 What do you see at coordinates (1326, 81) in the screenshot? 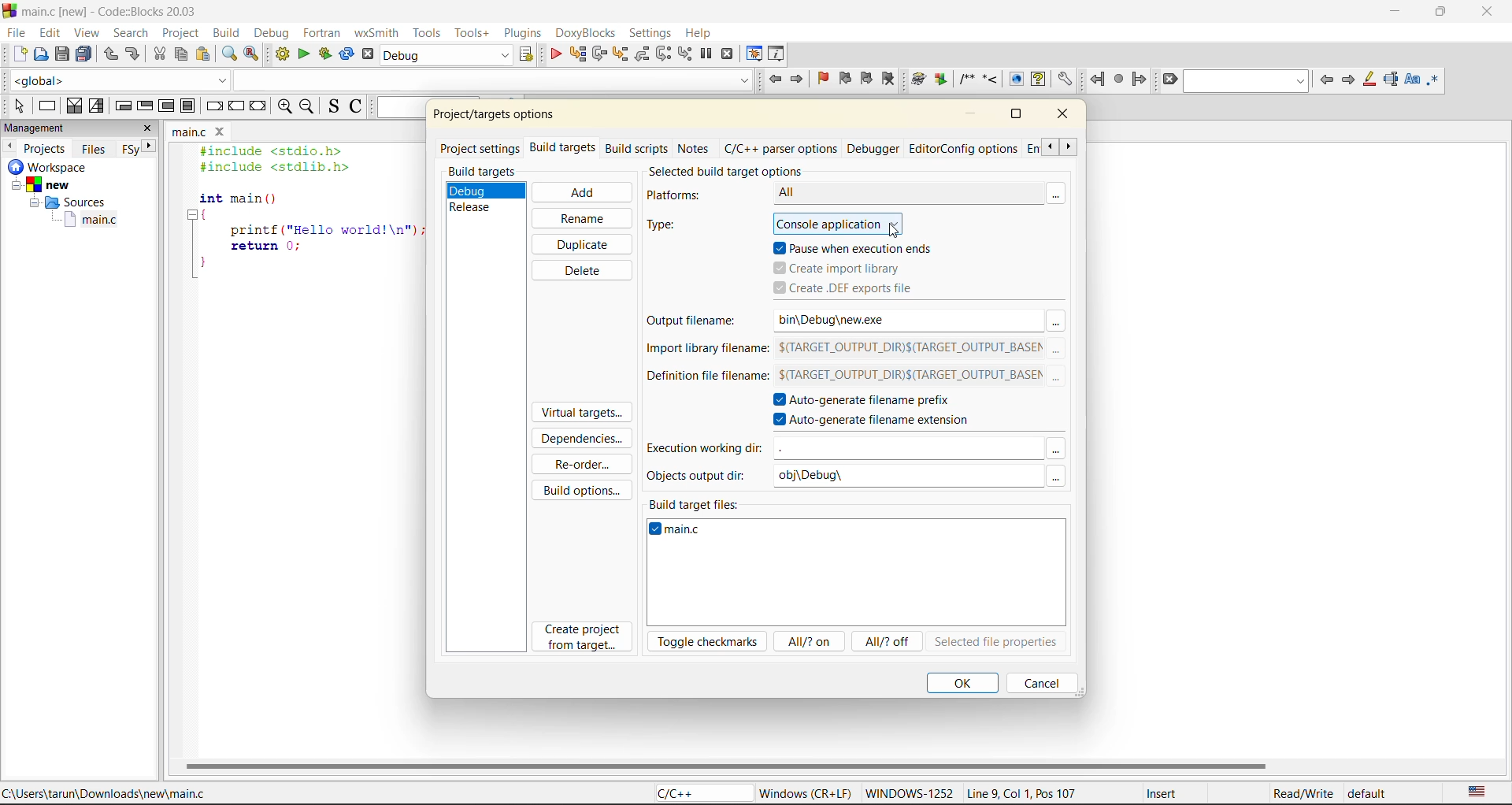
I see `previous` at bounding box center [1326, 81].